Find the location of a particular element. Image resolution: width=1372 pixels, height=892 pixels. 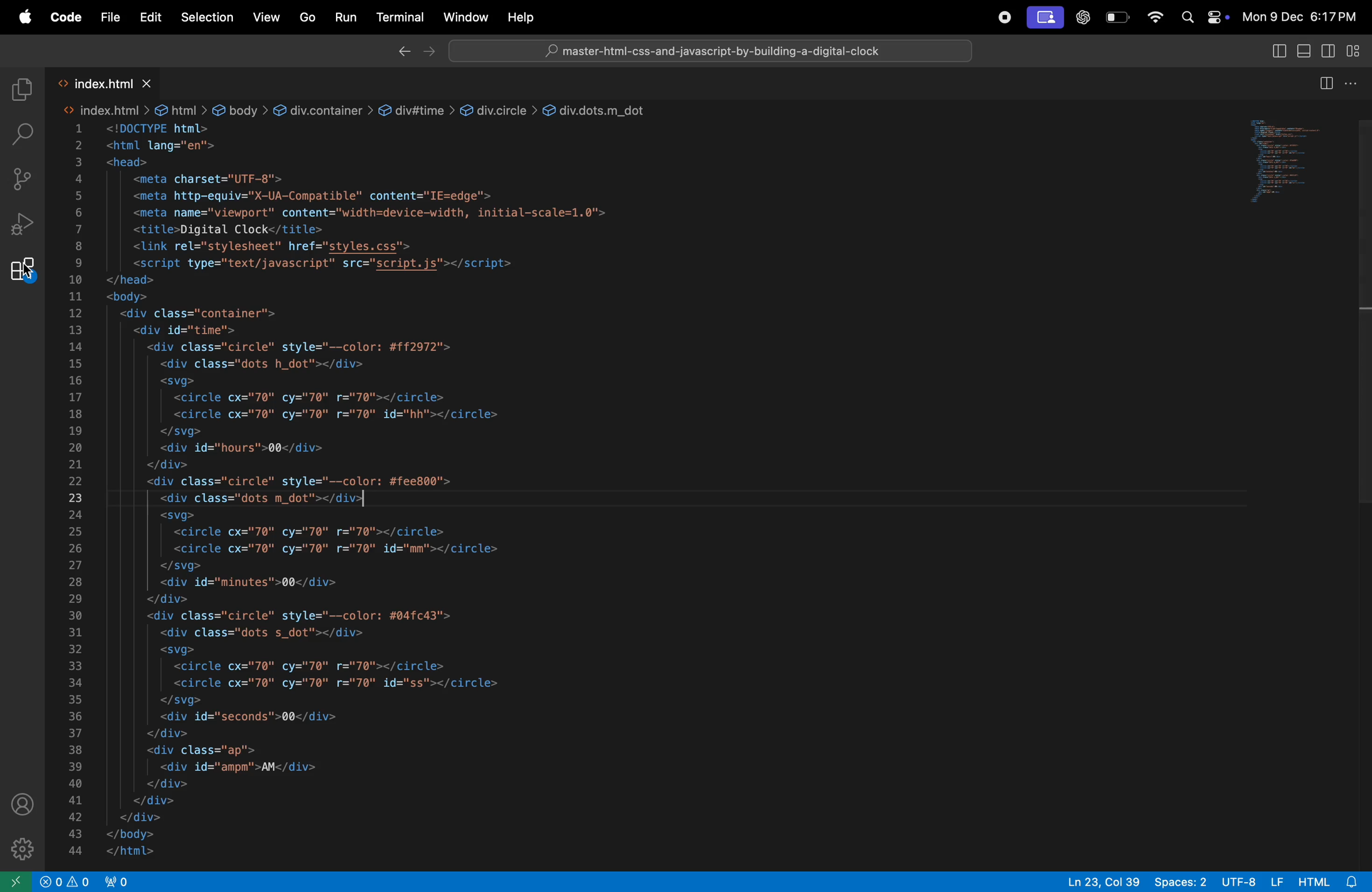

apple widgets is located at coordinates (1204, 16).